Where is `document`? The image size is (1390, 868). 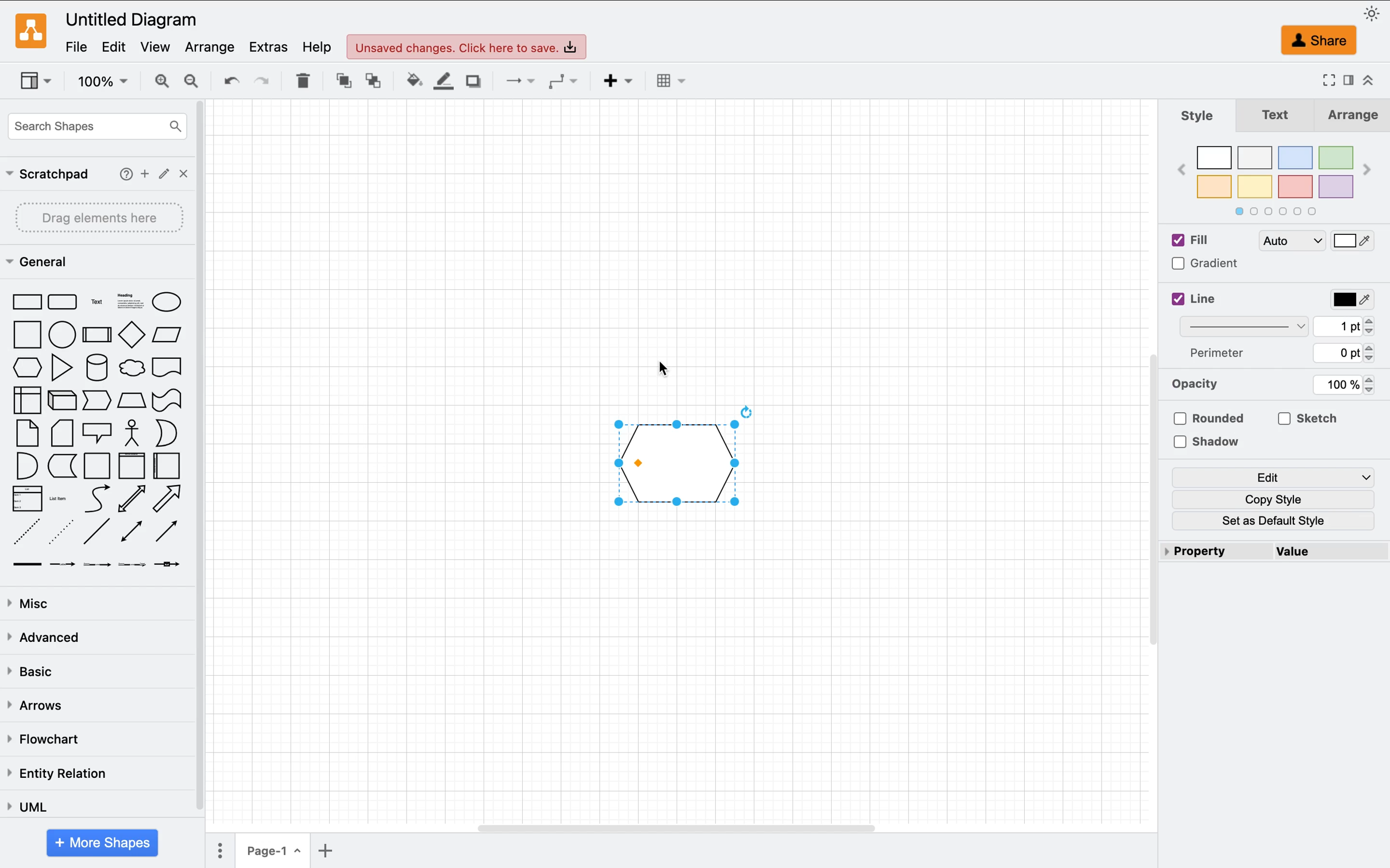
document is located at coordinates (172, 367).